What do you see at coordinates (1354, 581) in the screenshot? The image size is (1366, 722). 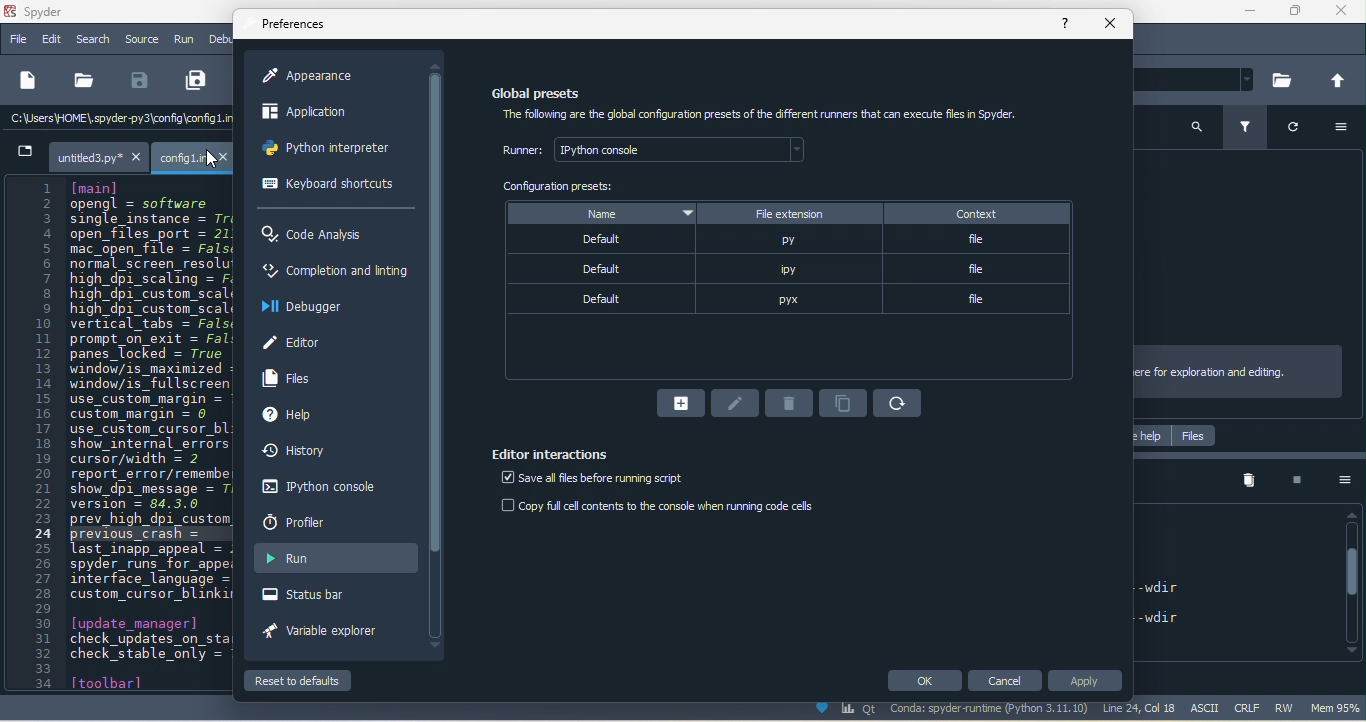 I see `vertical scroll bar` at bounding box center [1354, 581].